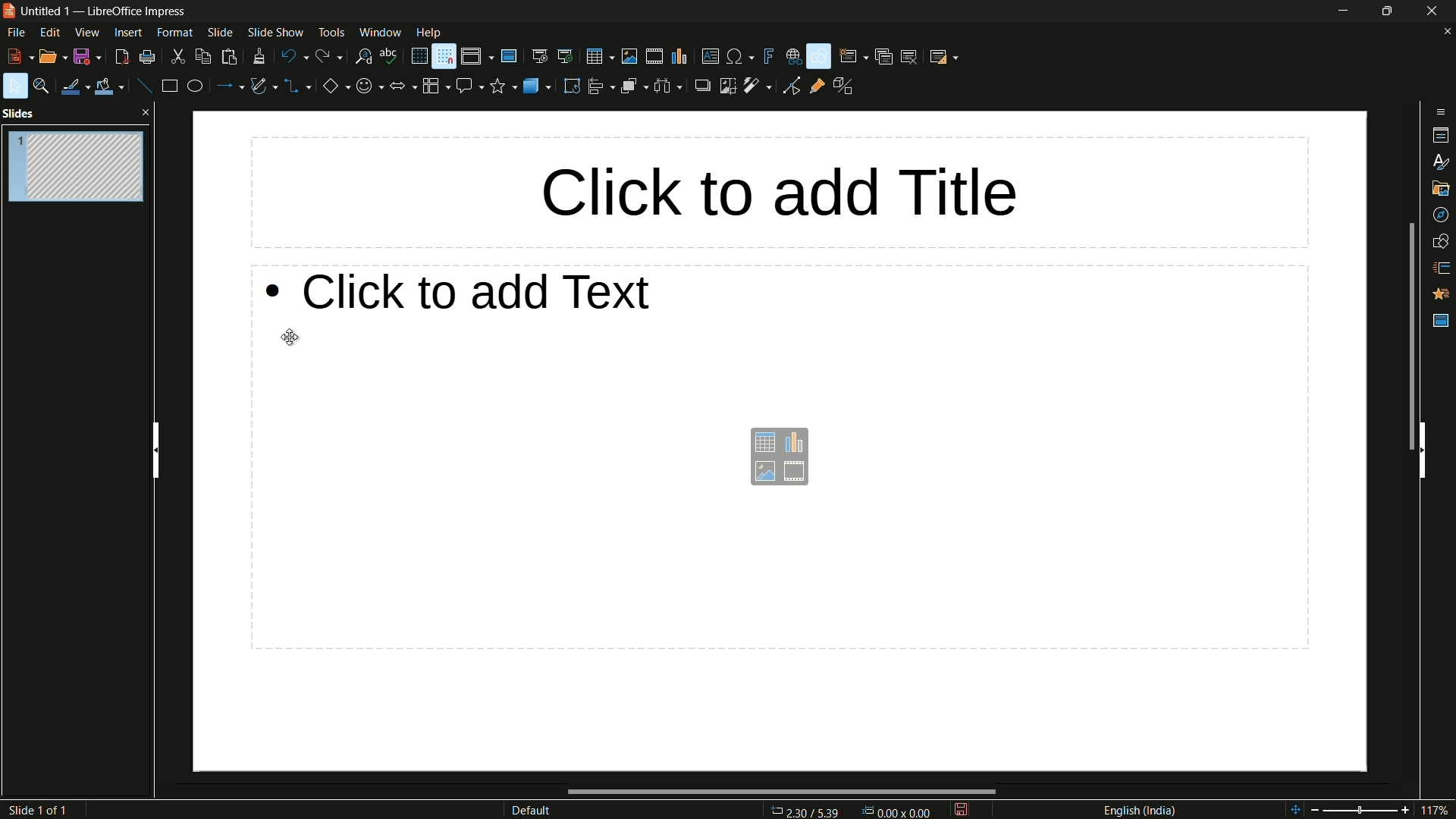  What do you see at coordinates (158, 452) in the screenshot?
I see `hide pane` at bounding box center [158, 452].